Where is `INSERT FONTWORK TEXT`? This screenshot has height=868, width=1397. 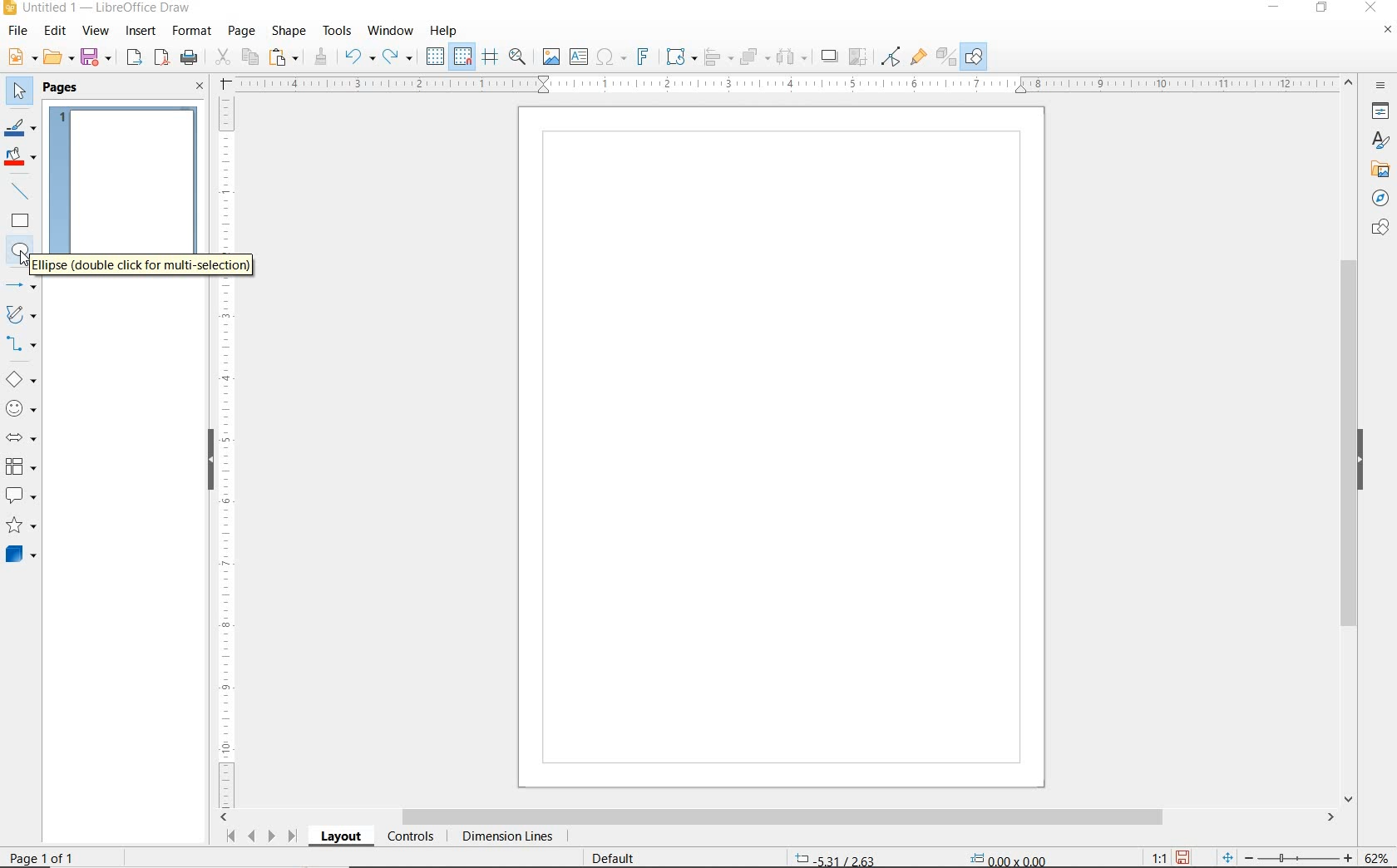 INSERT FONTWORK TEXT is located at coordinates (641, 57).